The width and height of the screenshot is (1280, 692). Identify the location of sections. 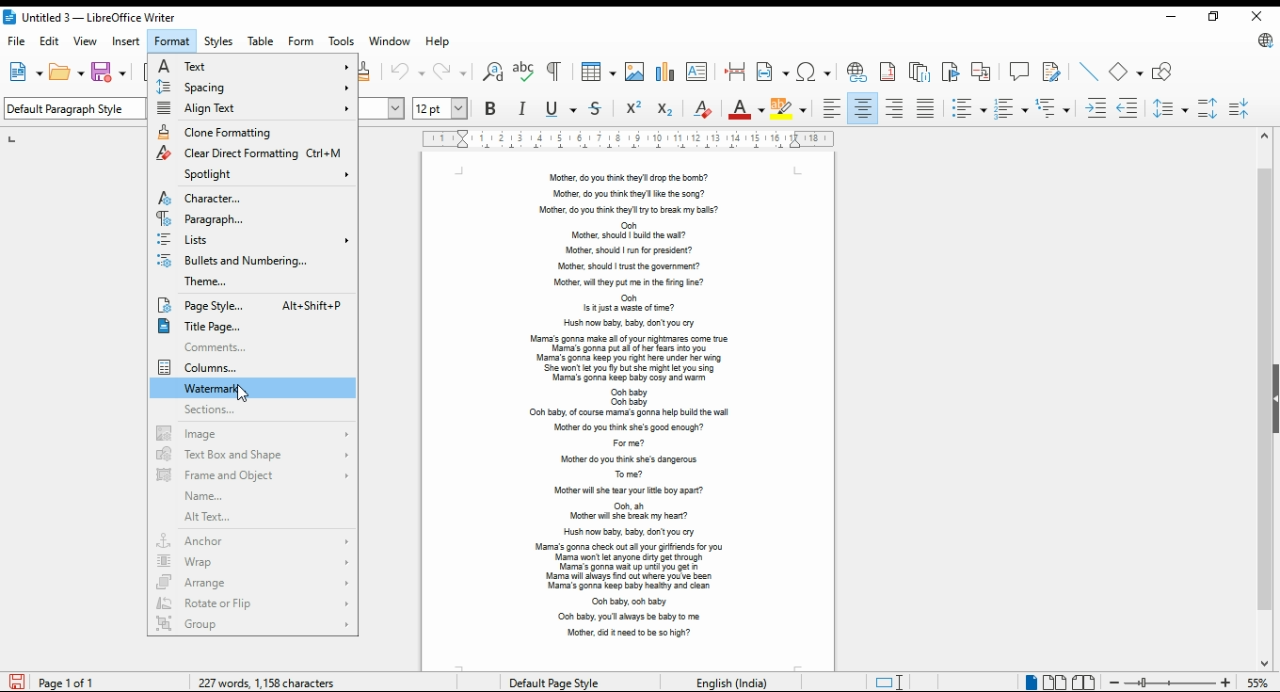
(242, 410).